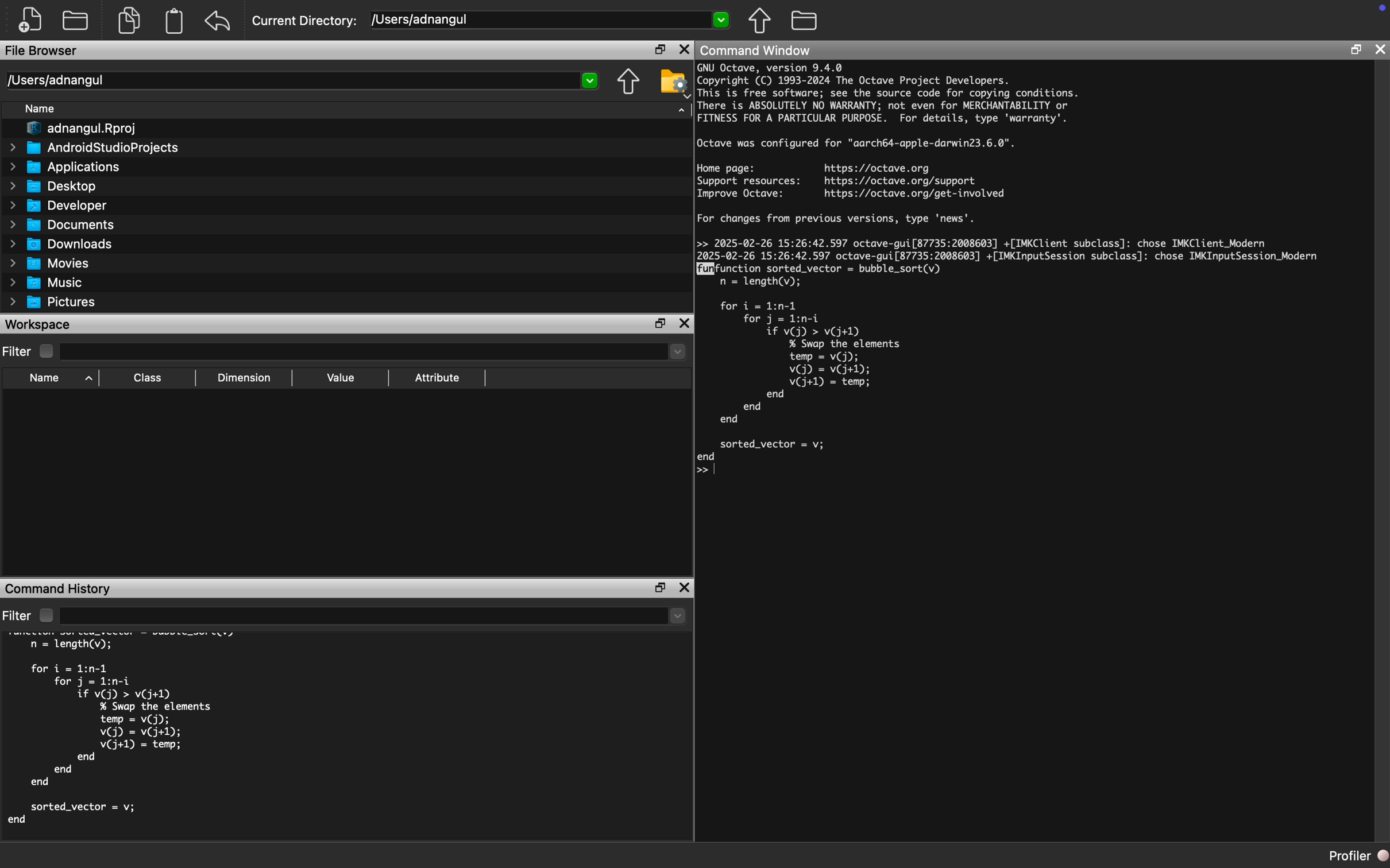 This screenshot has height=868, width=1390. Describe the element at coordinates (46, 615) in the screenshot. I see `Checkbox` at that location.